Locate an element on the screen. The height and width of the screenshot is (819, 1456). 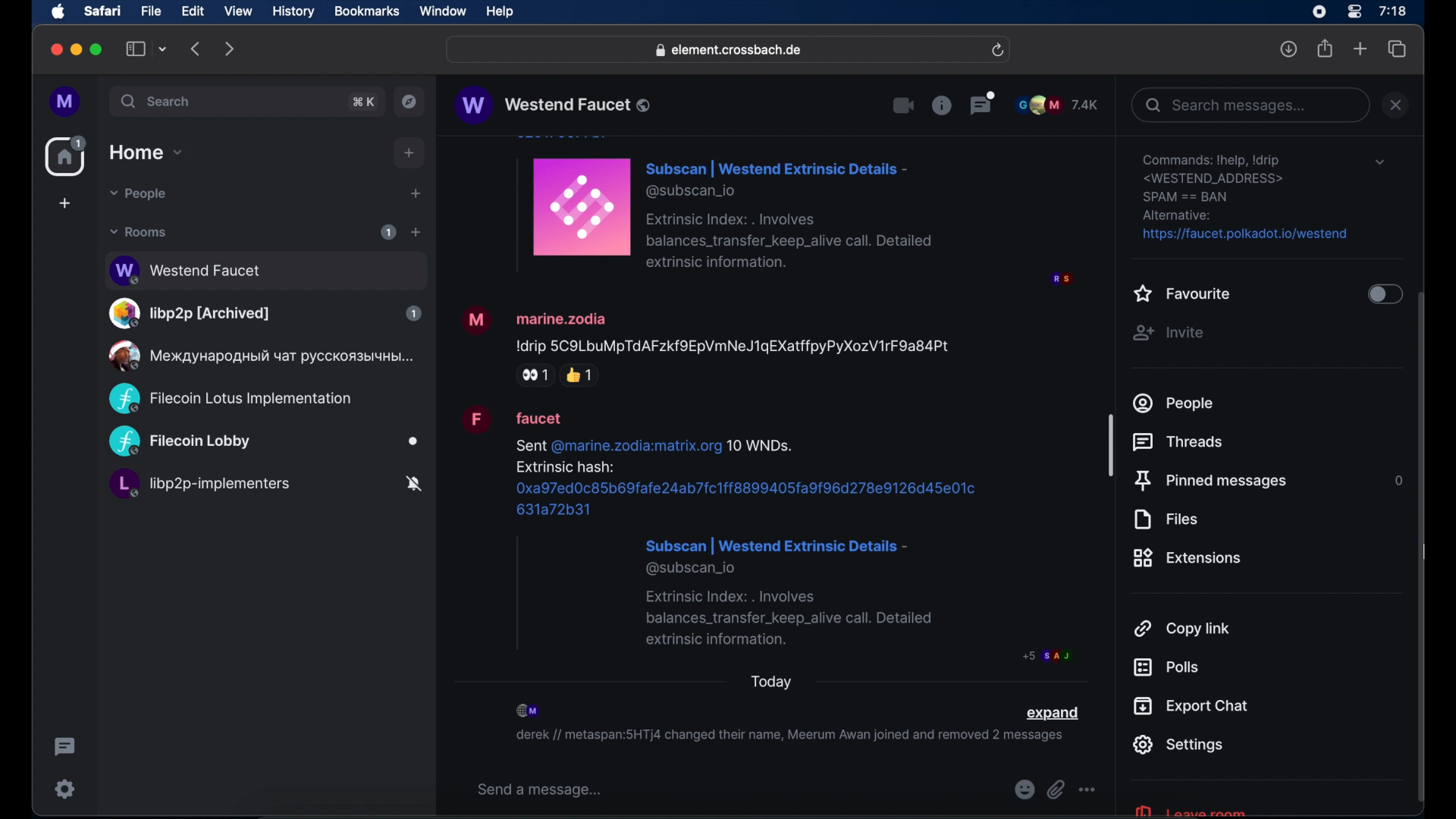
minimize is located at coordinates (77, 49).